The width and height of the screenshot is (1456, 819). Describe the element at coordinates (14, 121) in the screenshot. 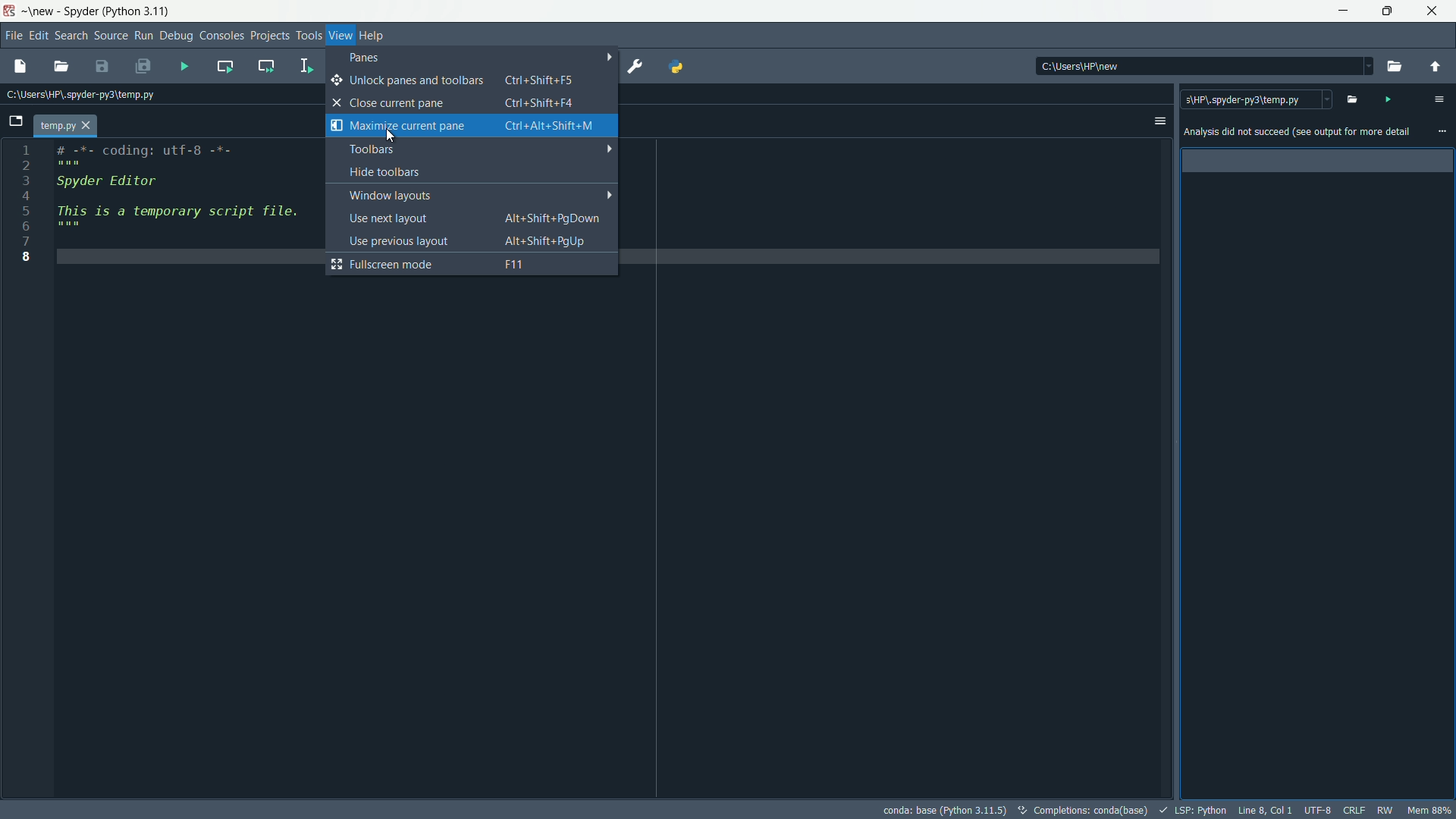

I see `browse tabs` at that location.